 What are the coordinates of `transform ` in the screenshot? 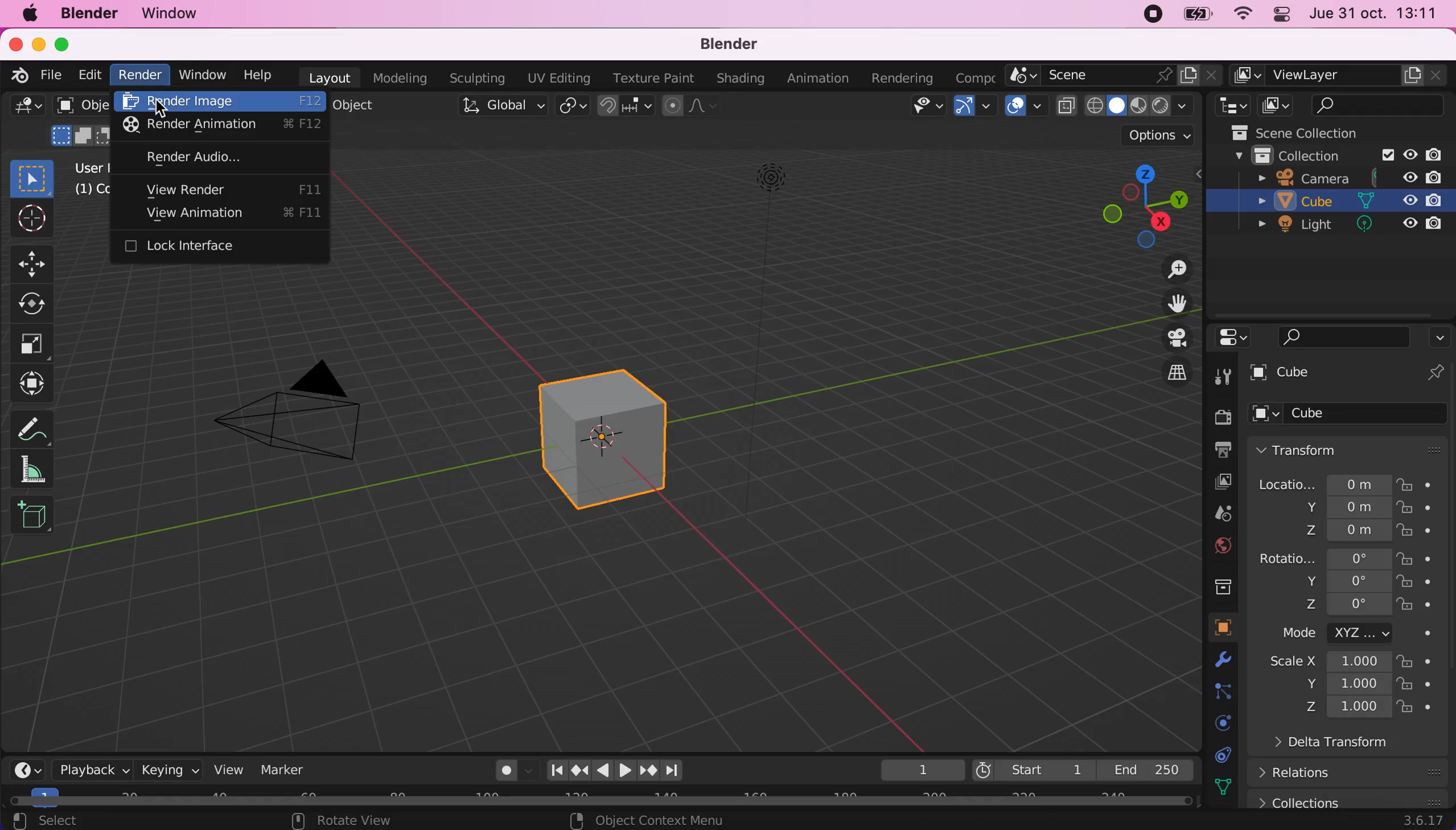 It's located at (1352, 449).